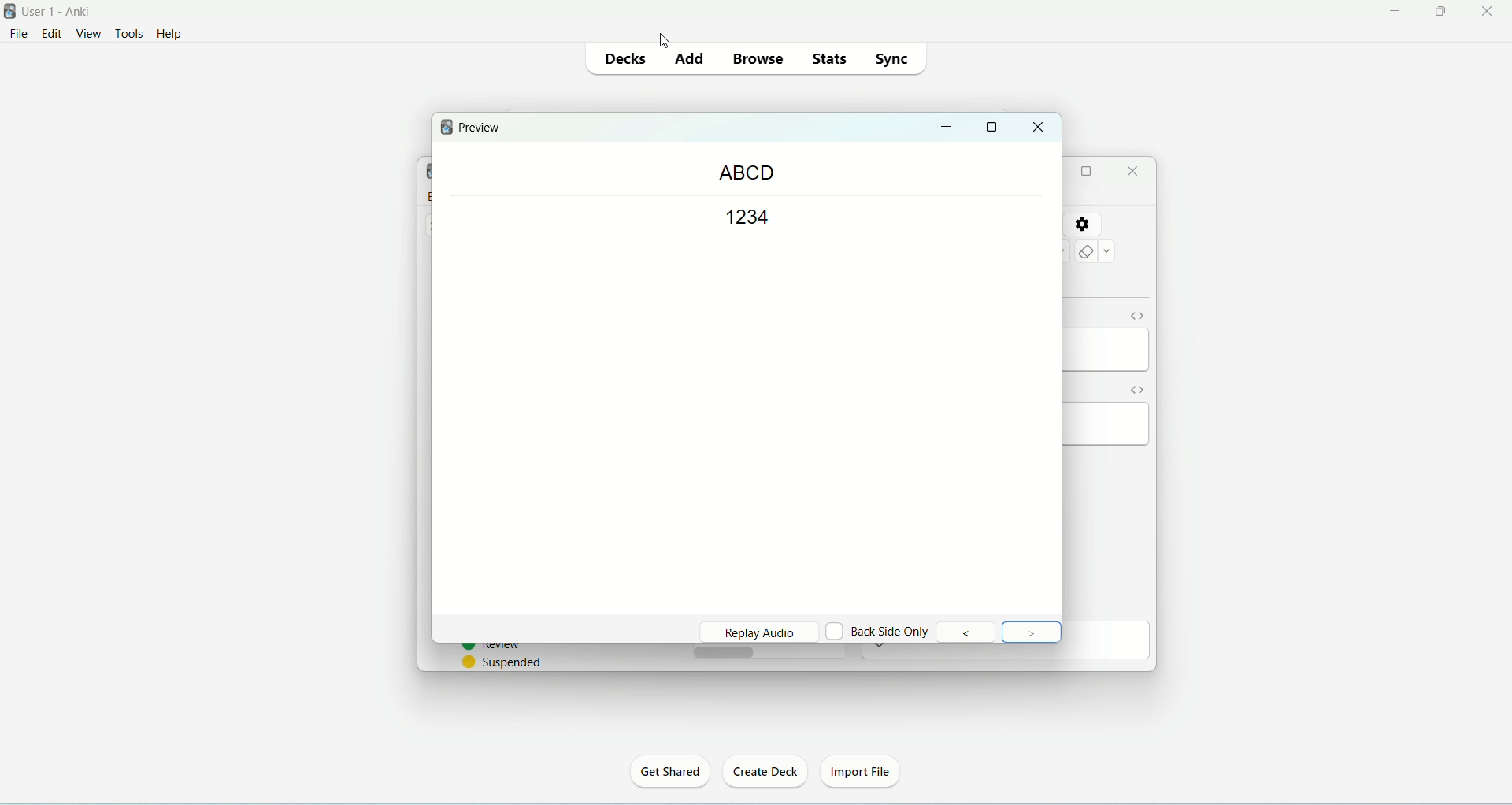 Image resolution: width=1512 pixels, height=805 pixels. What do you see at coordinates (61, 12) in the screenshot?
I see `user1-Anki` at bounding box center [61, 12].